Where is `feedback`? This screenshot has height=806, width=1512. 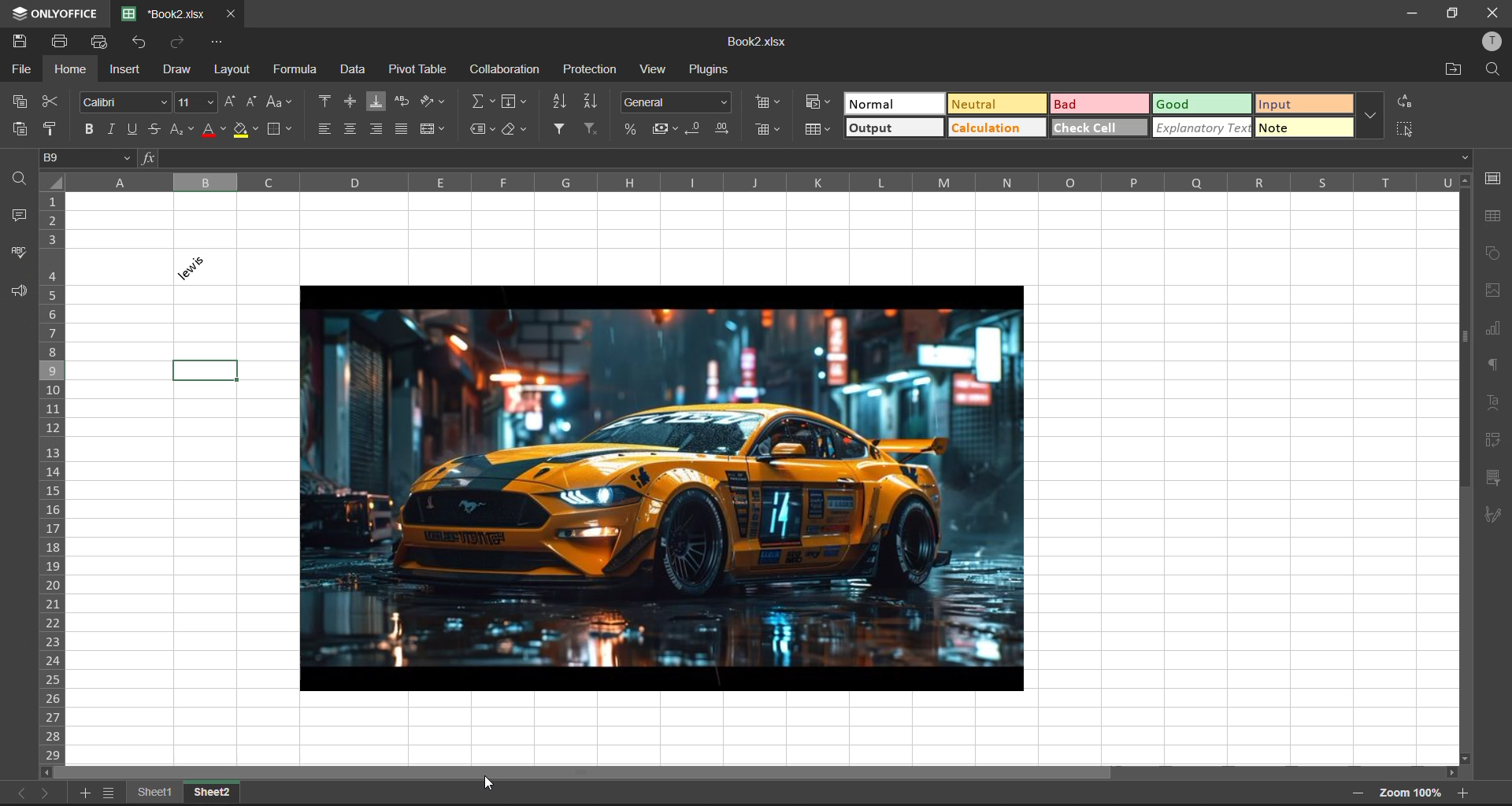 feedback is located at coordinates (19, 295).